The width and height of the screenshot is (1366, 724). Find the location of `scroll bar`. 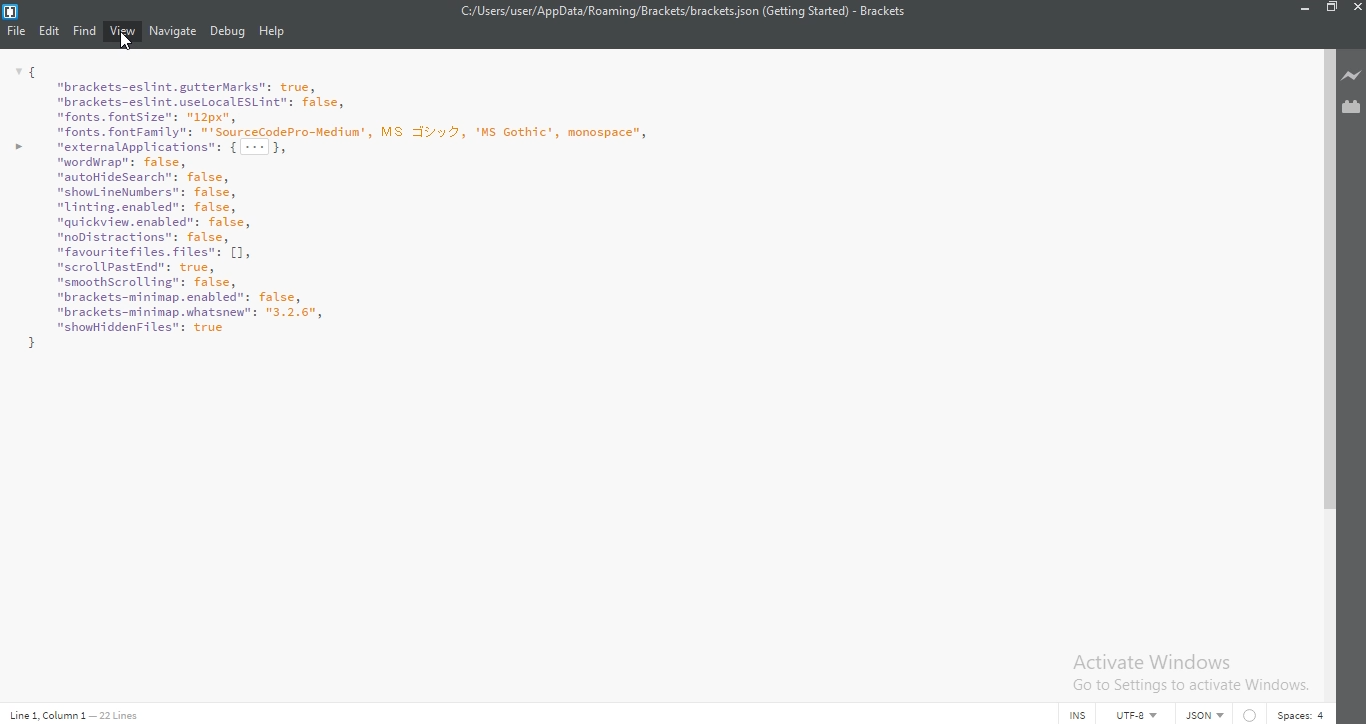

scroll bar is located at coordinates (1328, 278).